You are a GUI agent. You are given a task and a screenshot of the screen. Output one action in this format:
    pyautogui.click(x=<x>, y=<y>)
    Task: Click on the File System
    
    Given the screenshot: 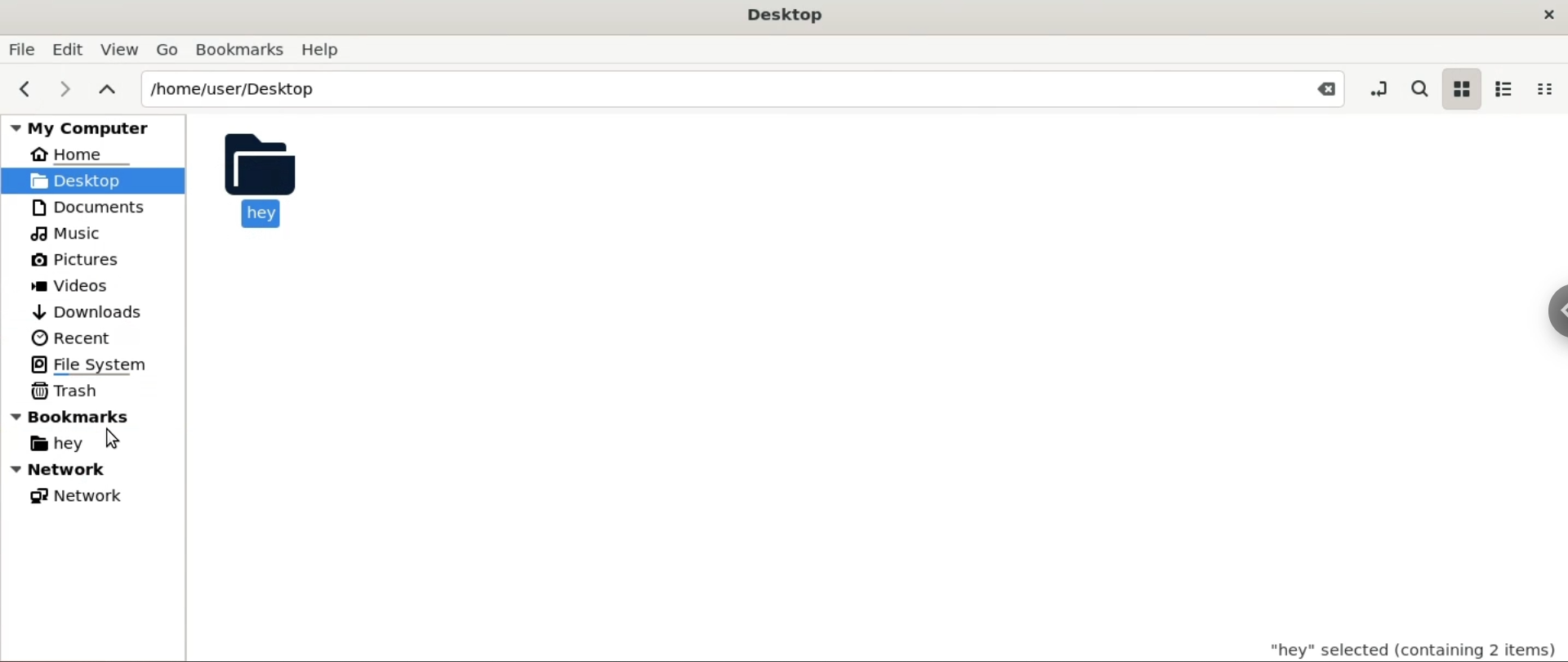 What is the action you would take?
    pyautogui.click(x=94, y=363)
    